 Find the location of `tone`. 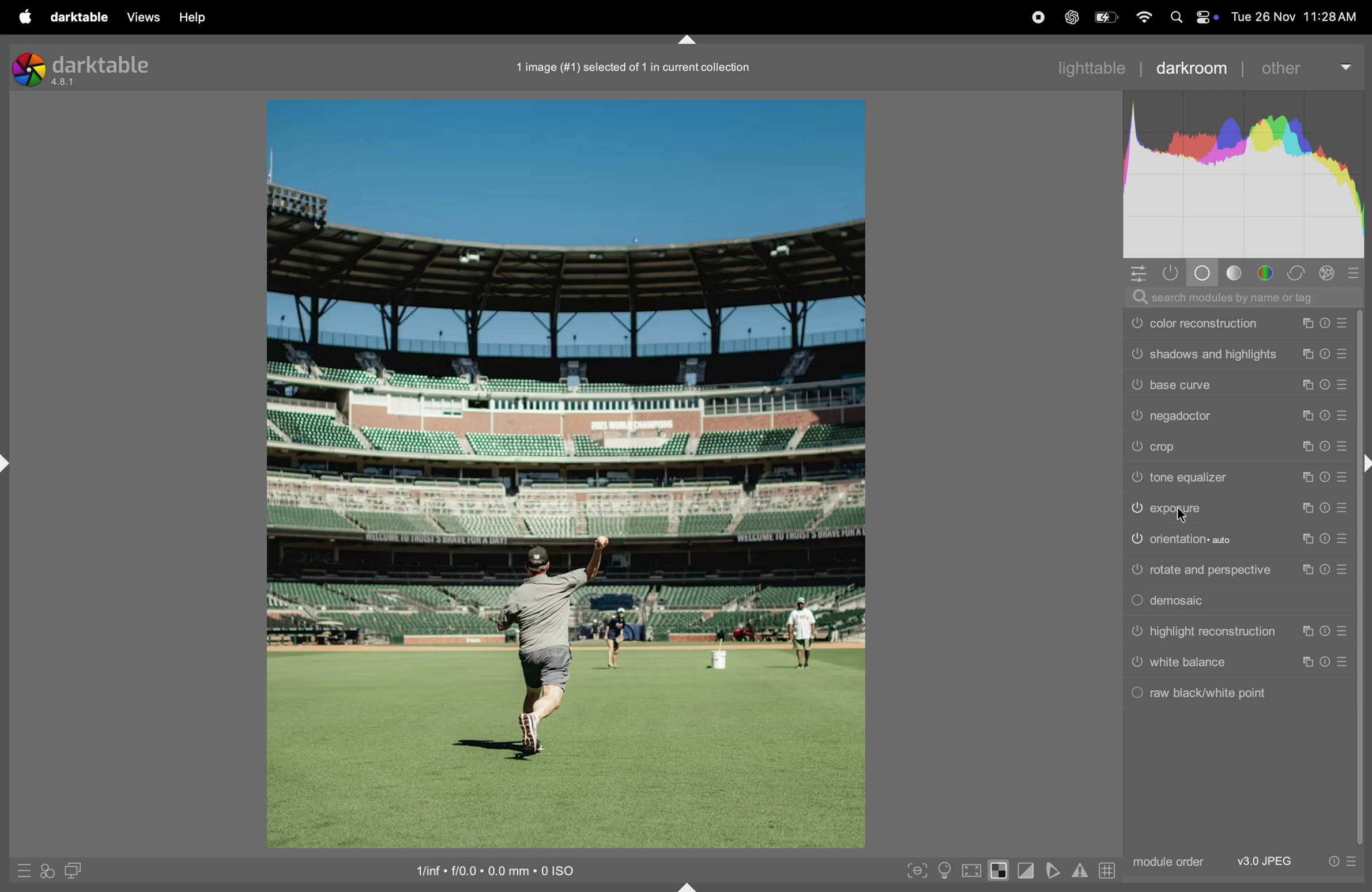

tone is located at coordinates (1235, 273).